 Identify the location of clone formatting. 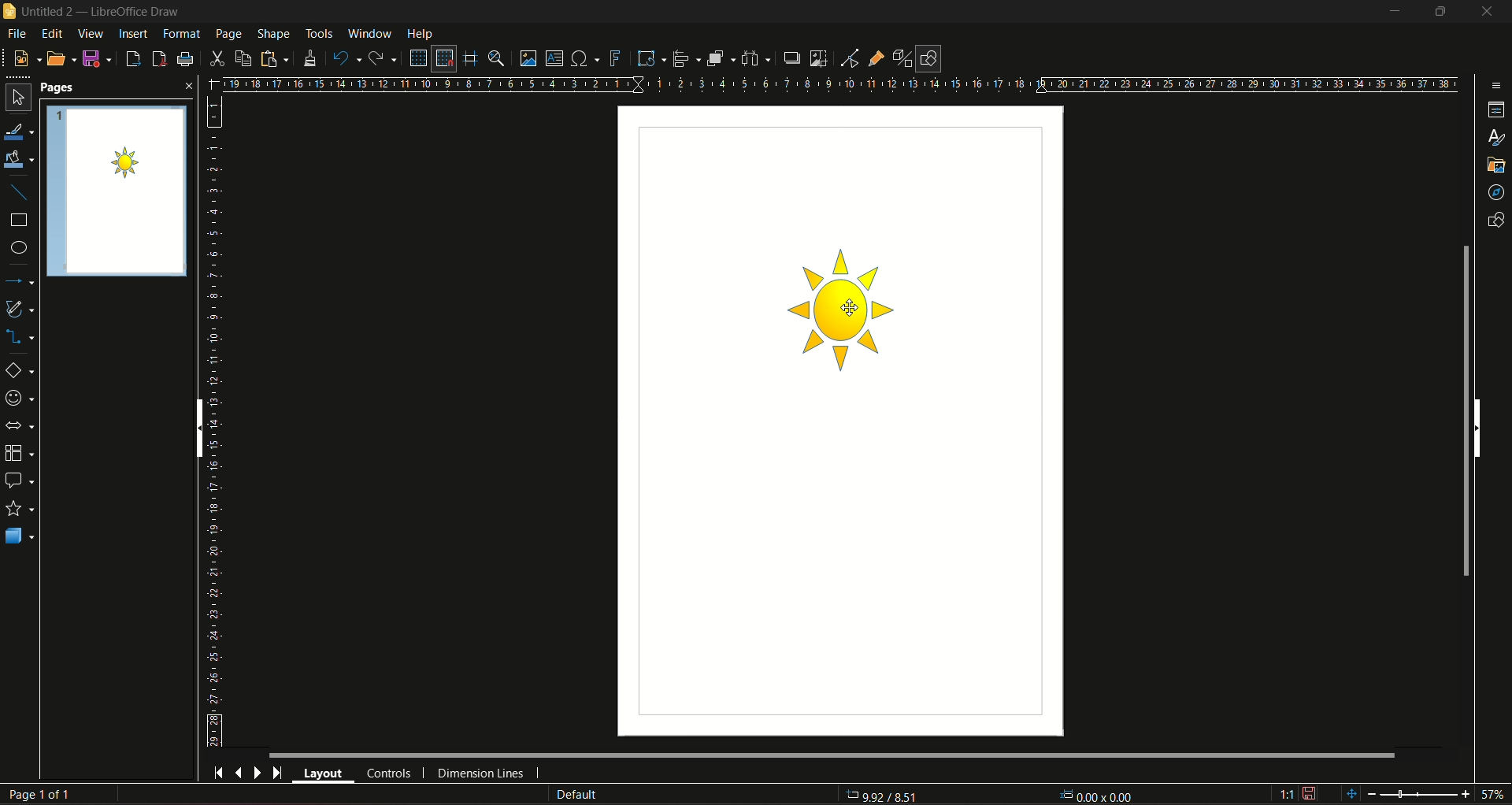
(309, 58).